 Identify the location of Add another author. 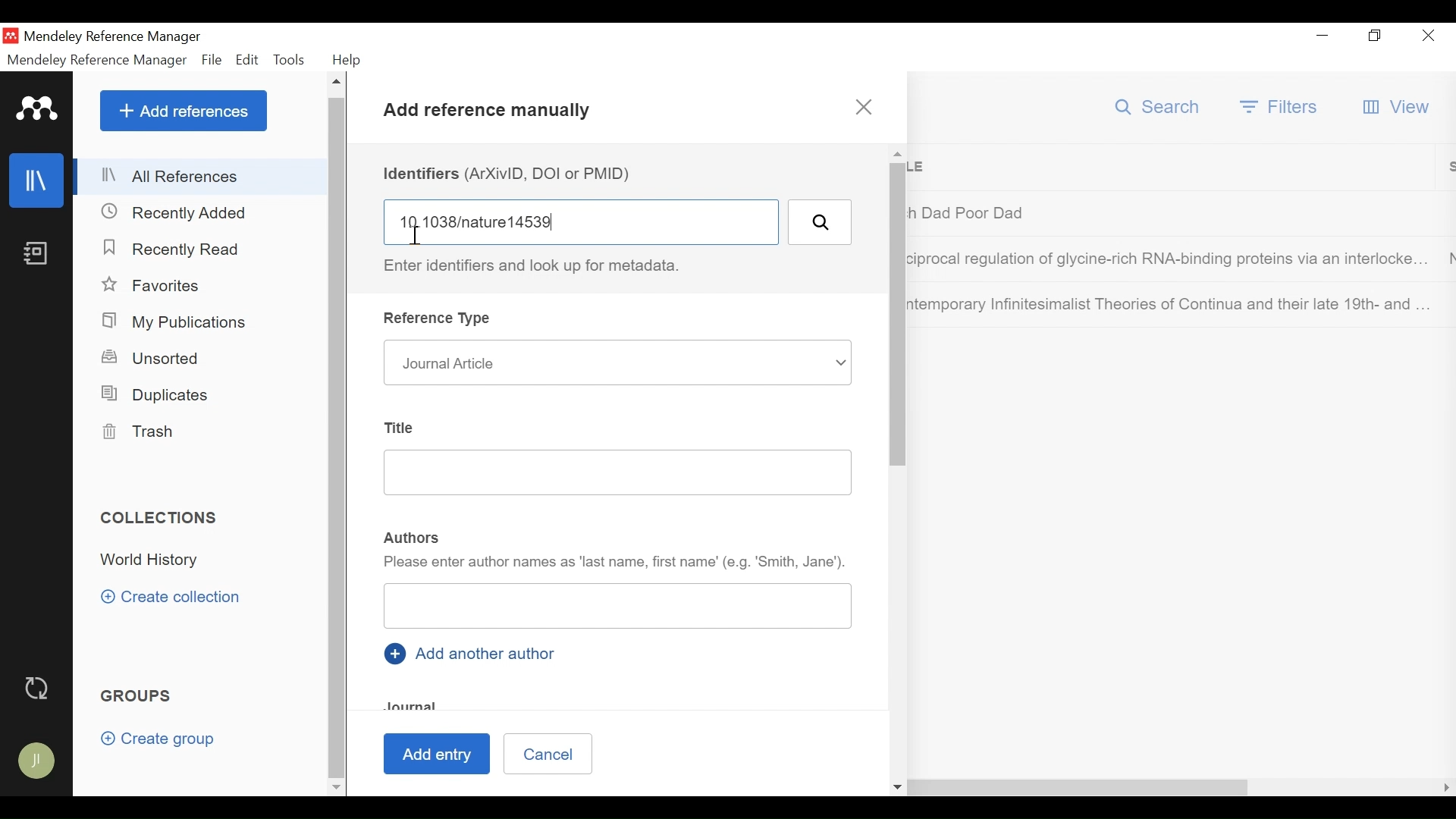
(473, 652).